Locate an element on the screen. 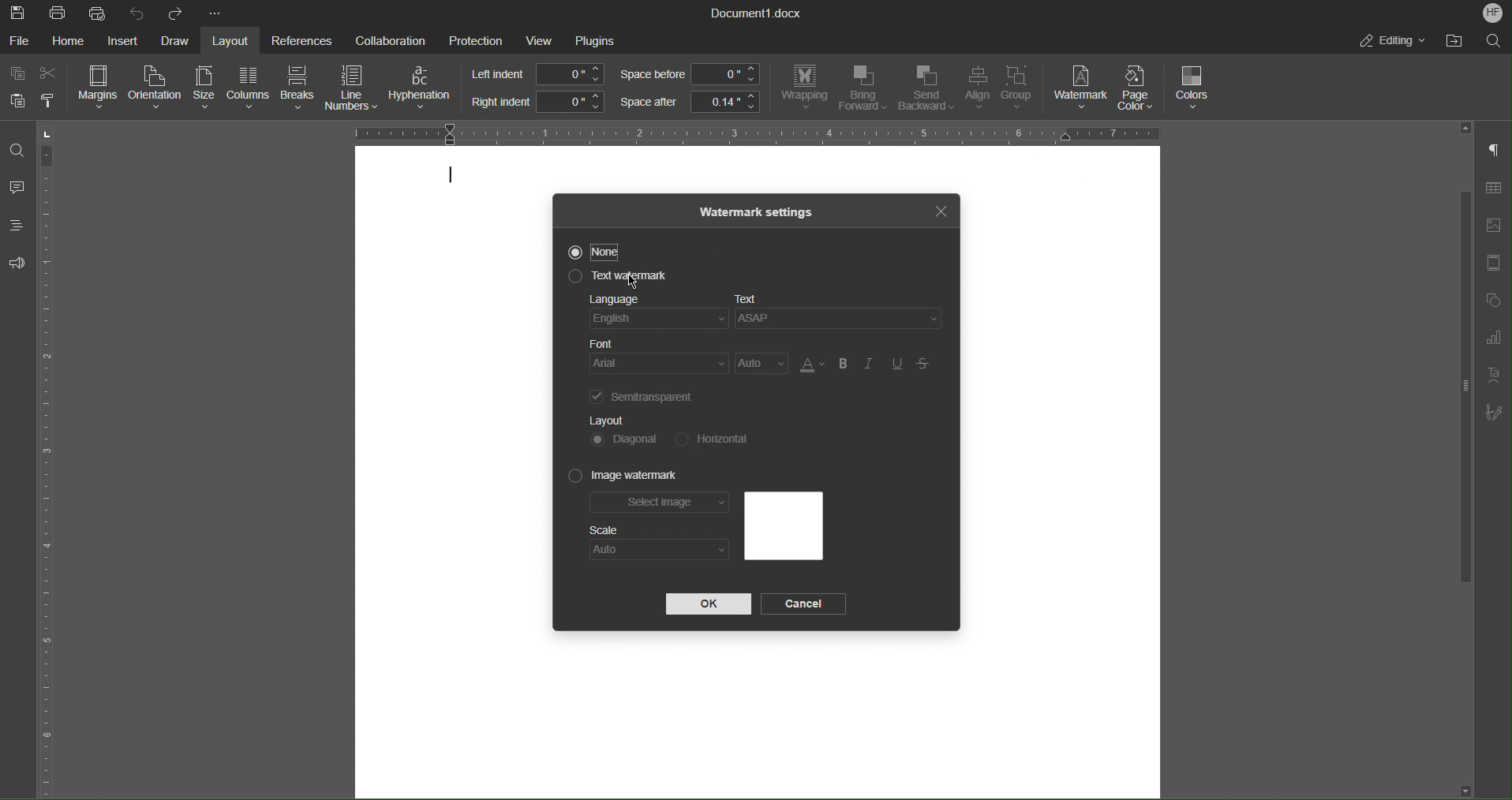  Scale is located at coordinates (604, 530).